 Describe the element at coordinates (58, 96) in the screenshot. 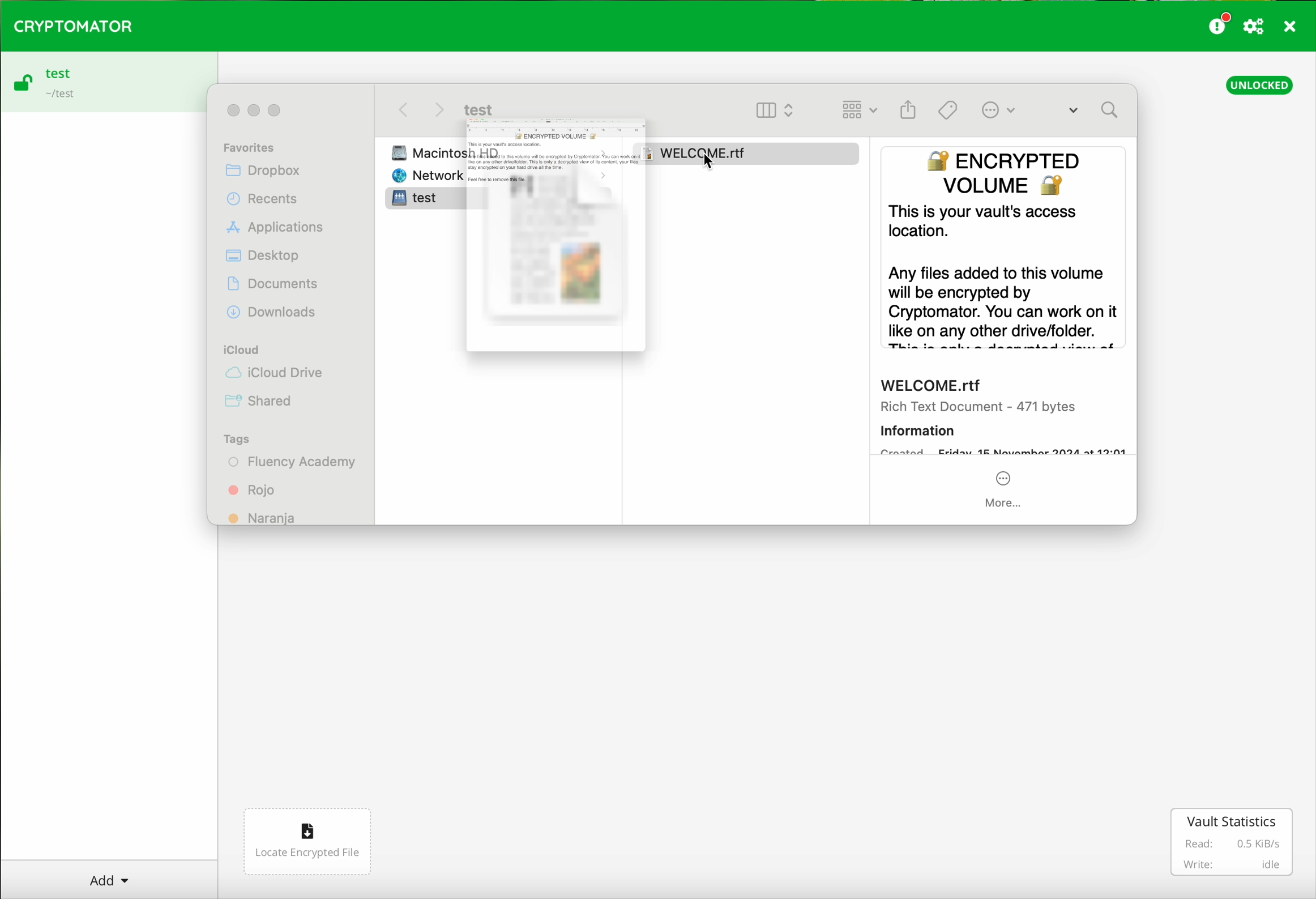

I see `~/test` at that location.